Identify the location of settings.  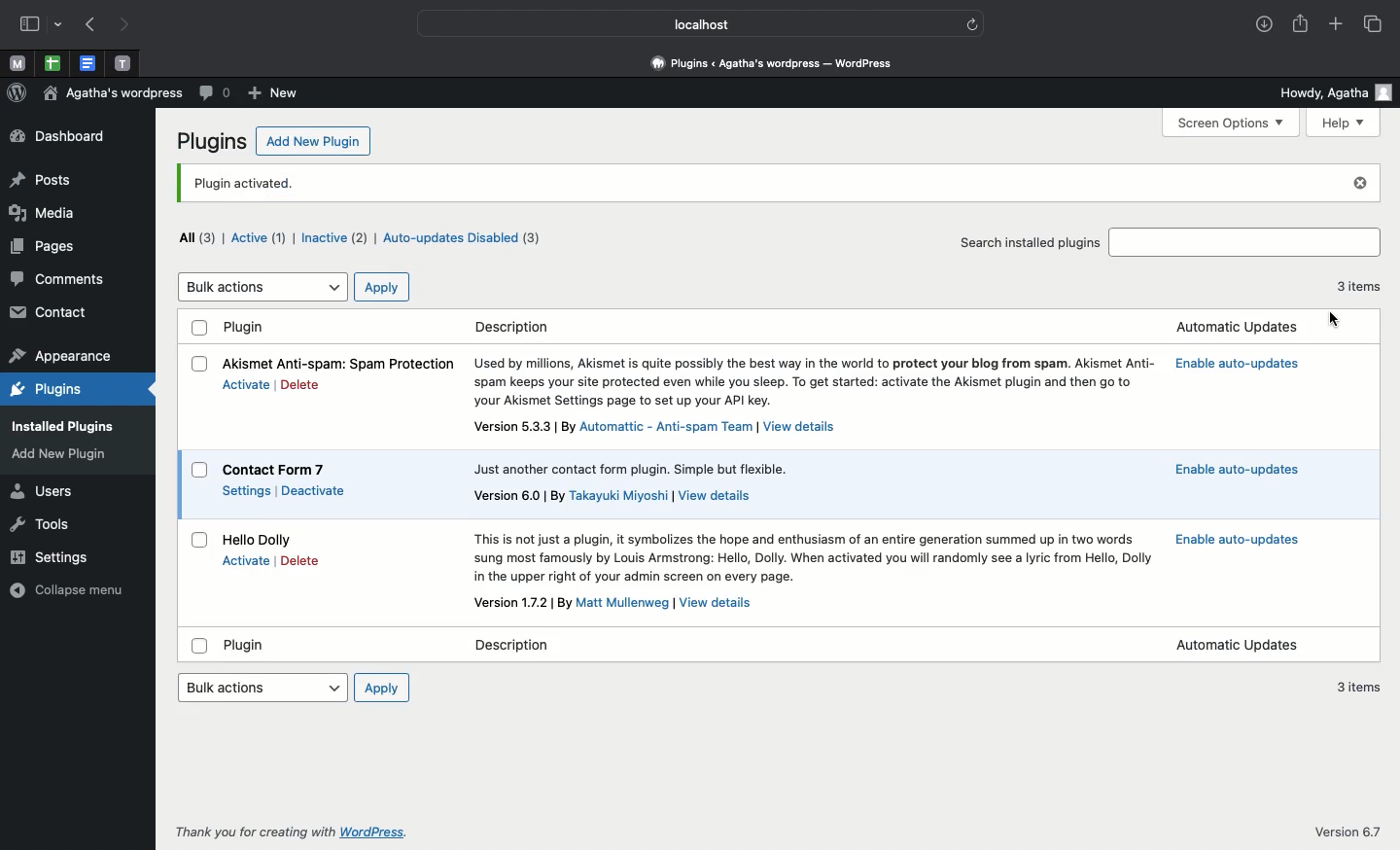
(55, 555).